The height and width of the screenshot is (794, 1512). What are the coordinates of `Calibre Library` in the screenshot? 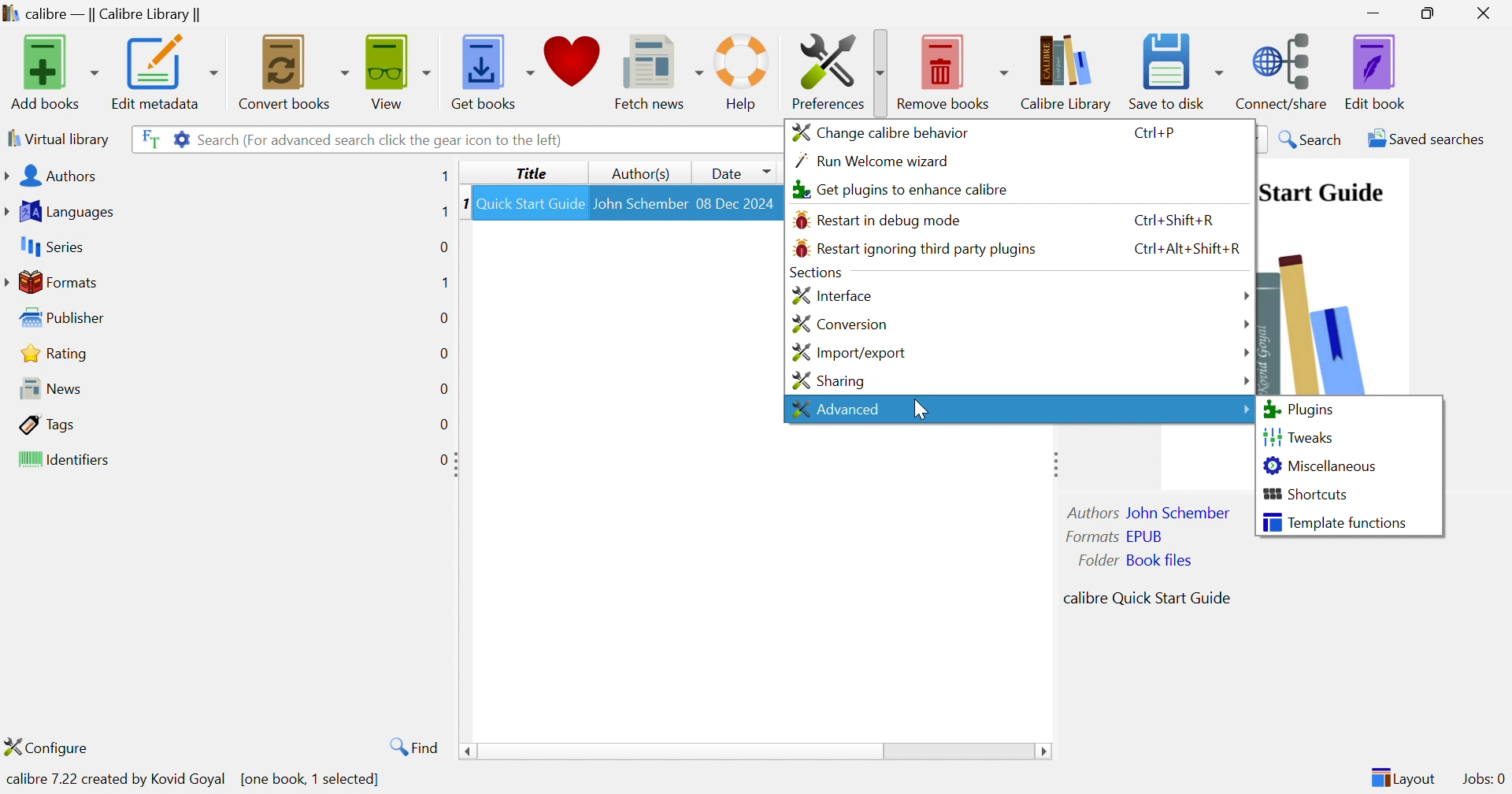 It's located at (1070, 72).